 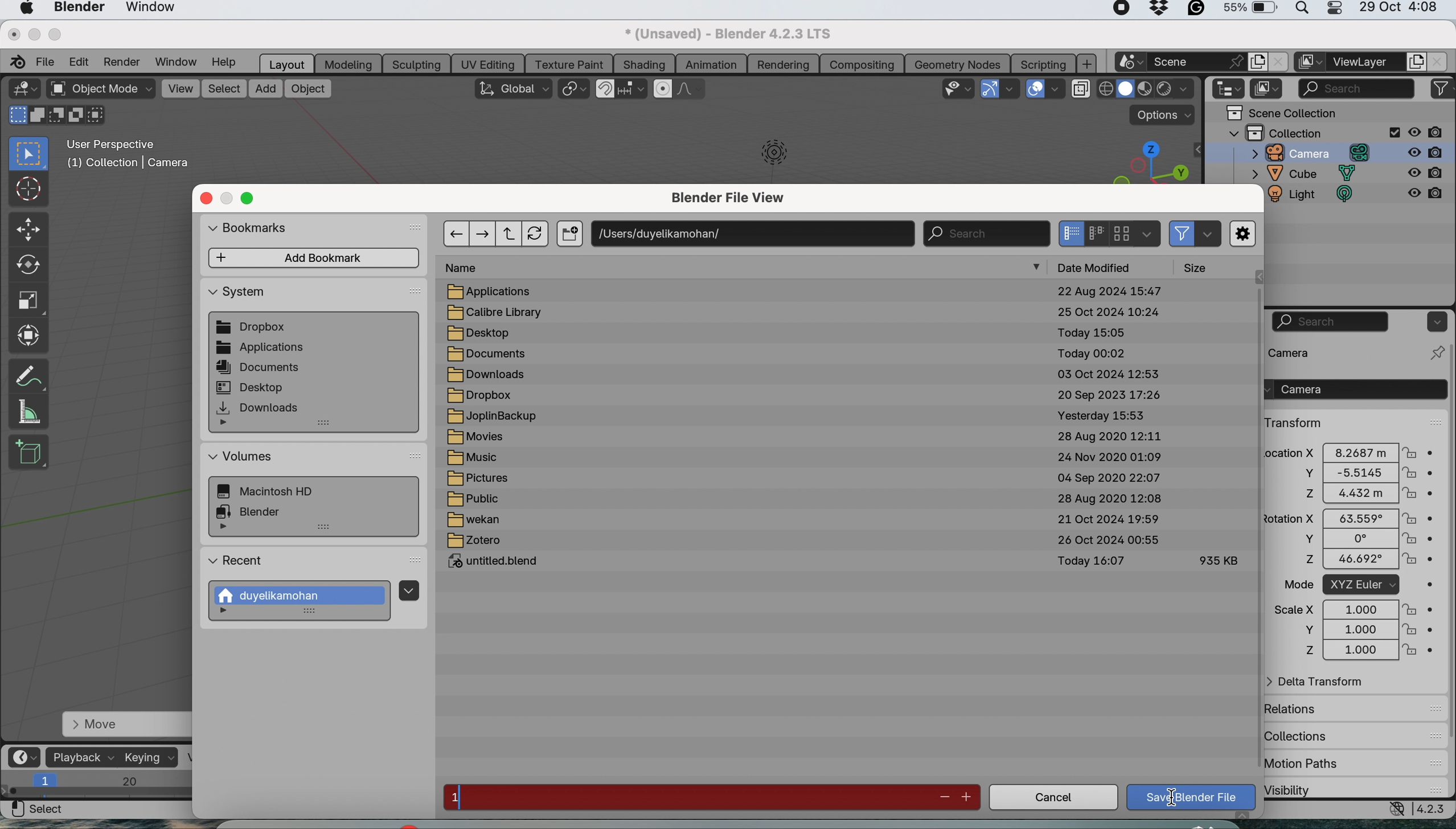 What do you see at coordinates (256, 510) in the screenshot?
I see `blender` at bounding box center [256, 510].